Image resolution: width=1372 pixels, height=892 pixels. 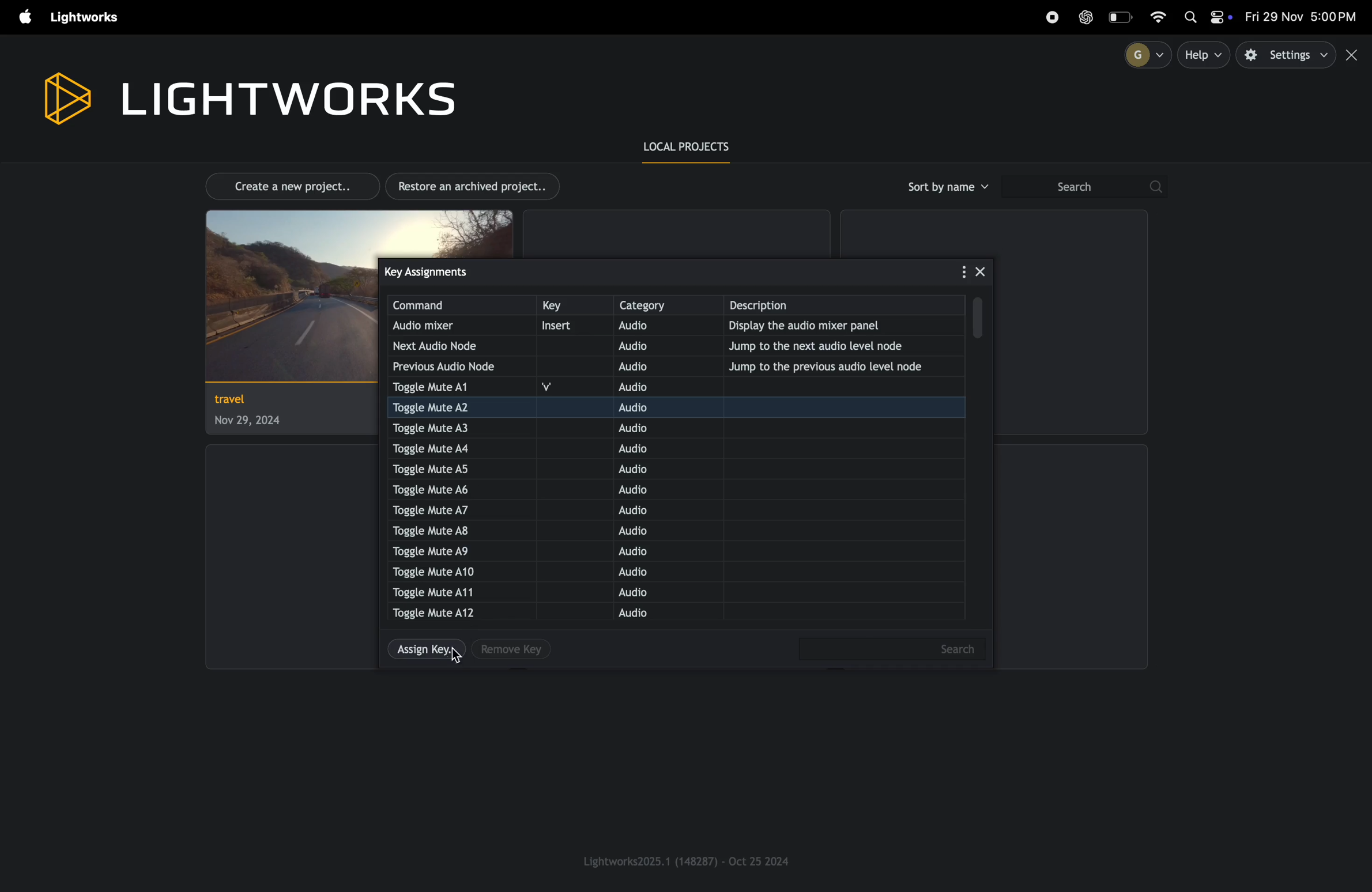 I want to click on close, so click(x=1354, y=55).